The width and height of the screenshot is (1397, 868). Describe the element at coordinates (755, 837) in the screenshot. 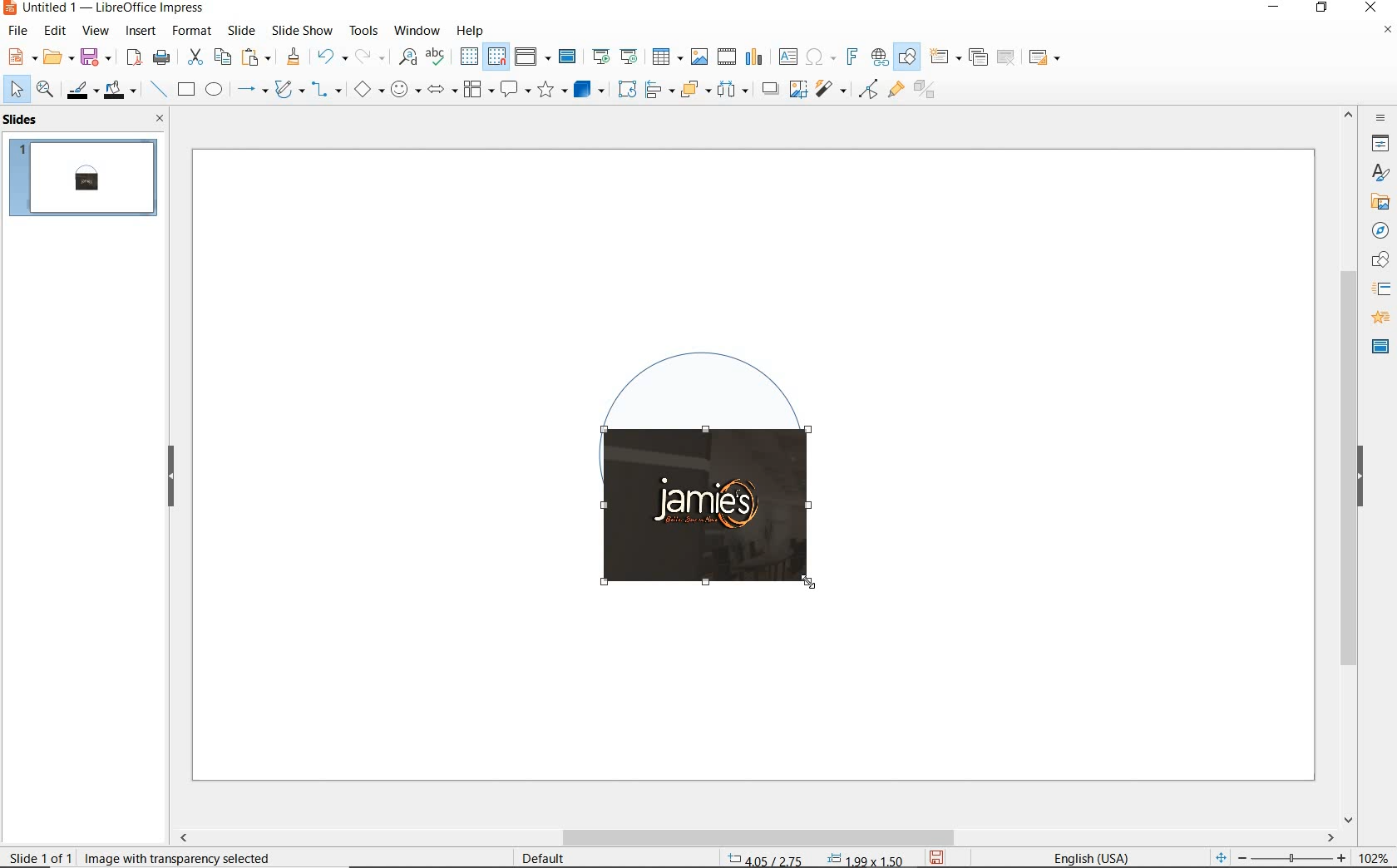

I see `scrollbar` at that location.